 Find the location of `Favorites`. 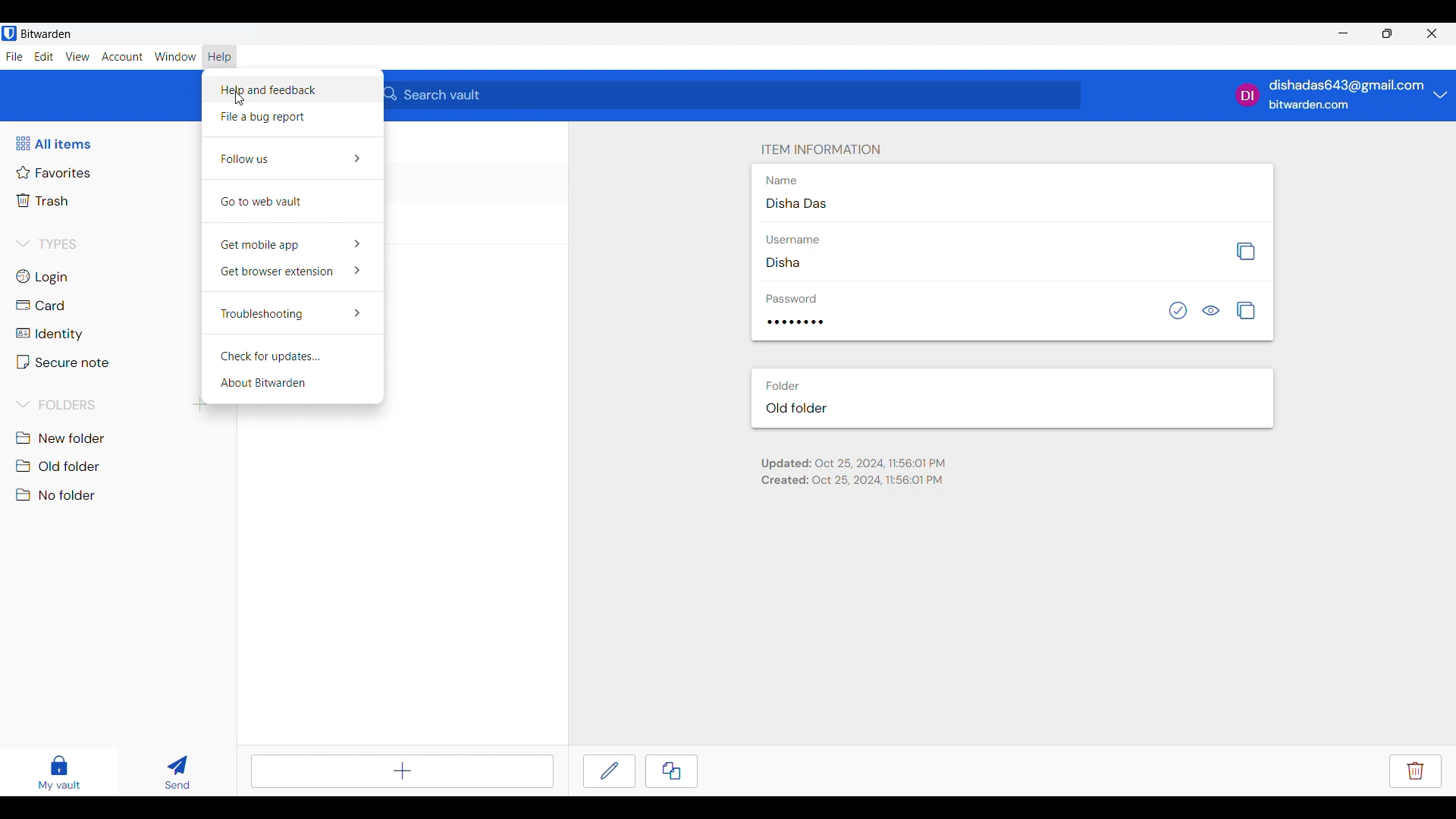

Favorites is located at coordinates (54, 173).